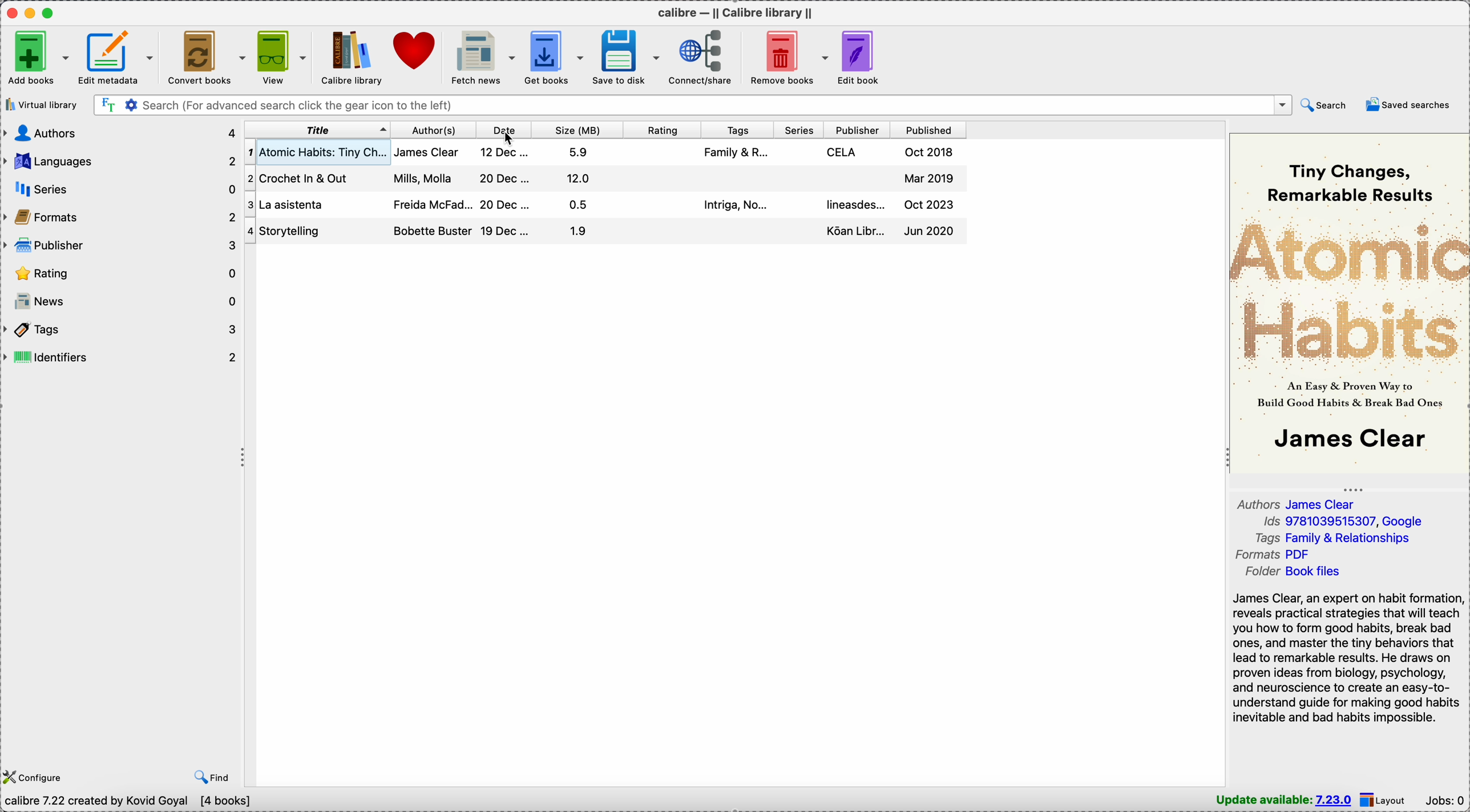 The width and height of the screenshot is (1470, 812). I want to click on rating, so click(660, 131).